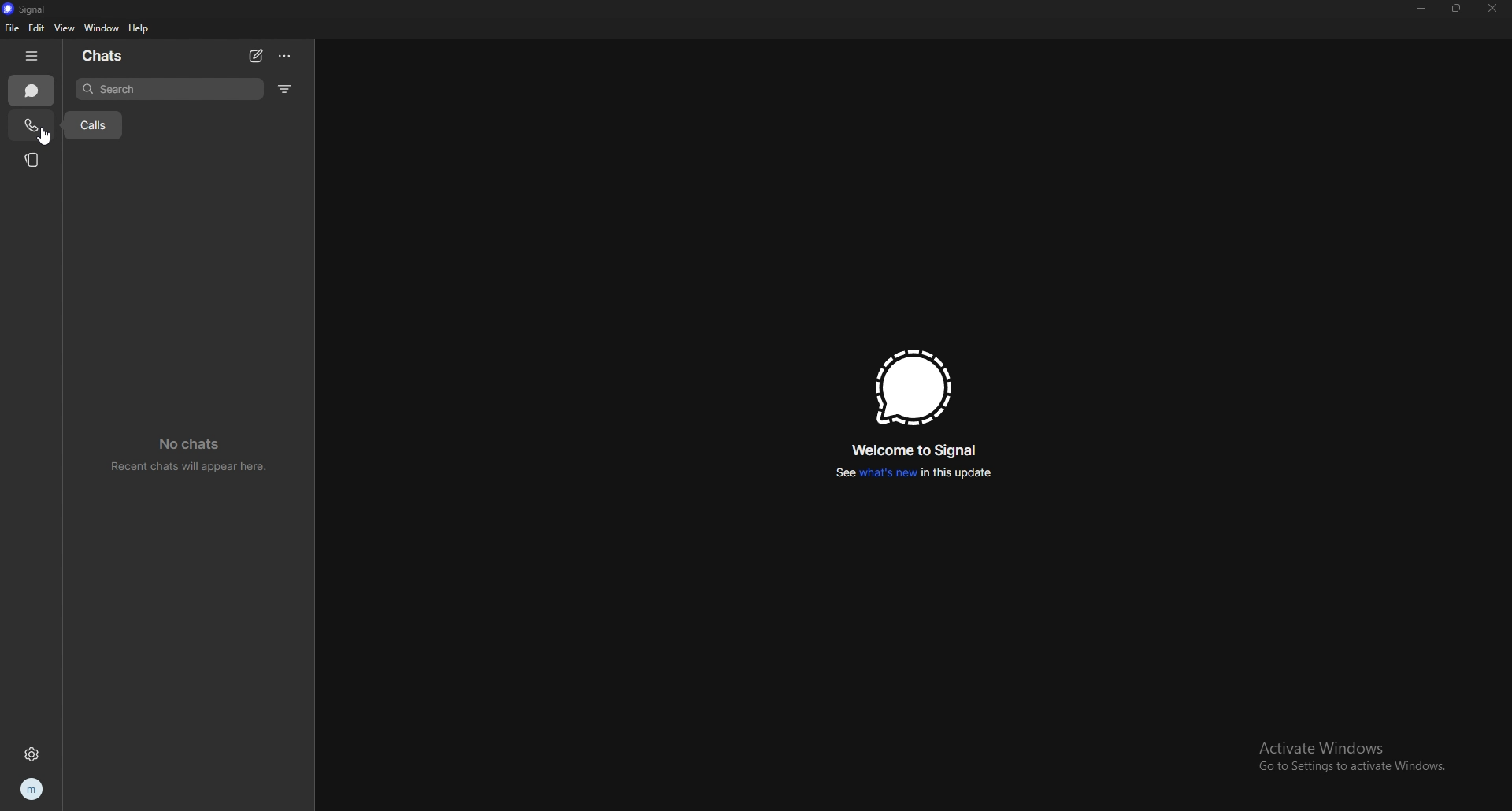 Image resolution: width=1512 pixels, height=811 pixels. I want to click on view, so click(67, 28).